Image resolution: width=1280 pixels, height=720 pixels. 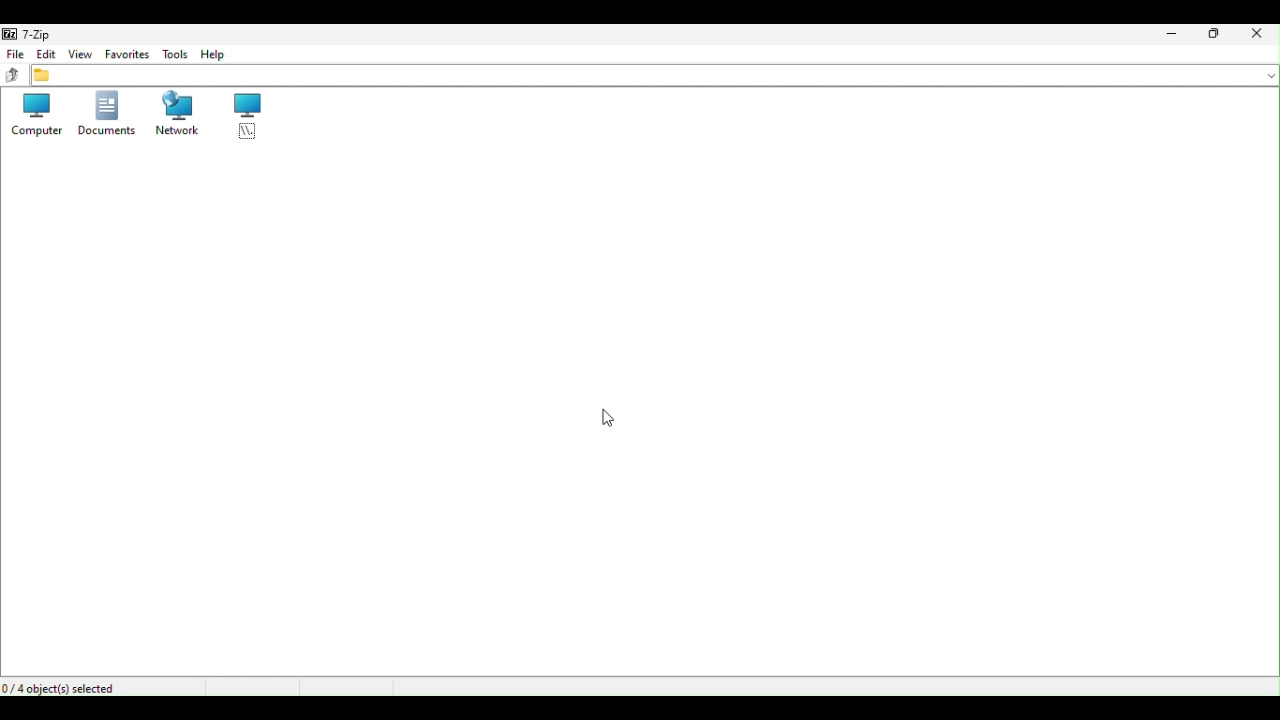 I want to click on up, so click(x=14, y=78).